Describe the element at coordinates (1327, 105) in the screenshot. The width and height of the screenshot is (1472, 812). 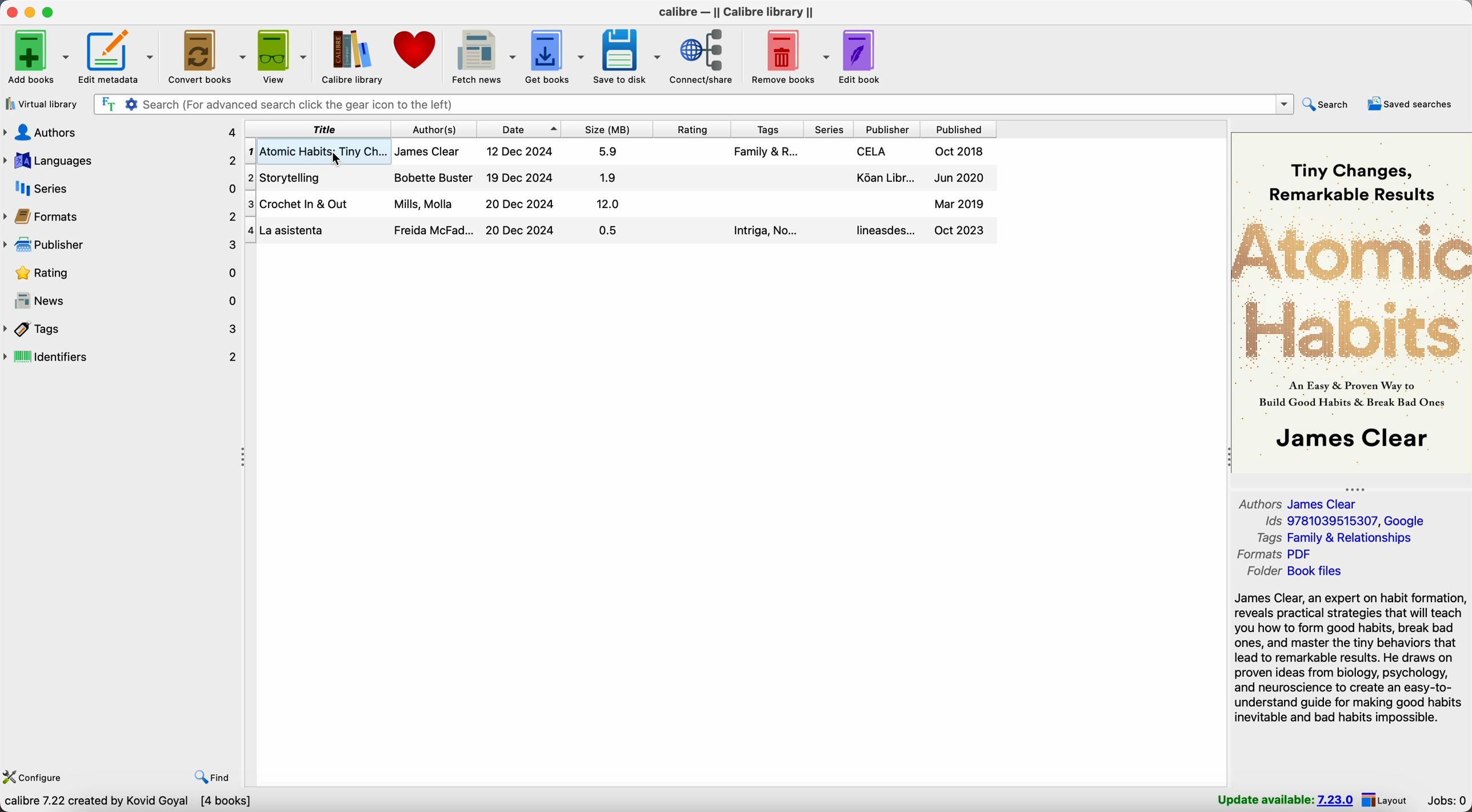
I see `search` at that location.